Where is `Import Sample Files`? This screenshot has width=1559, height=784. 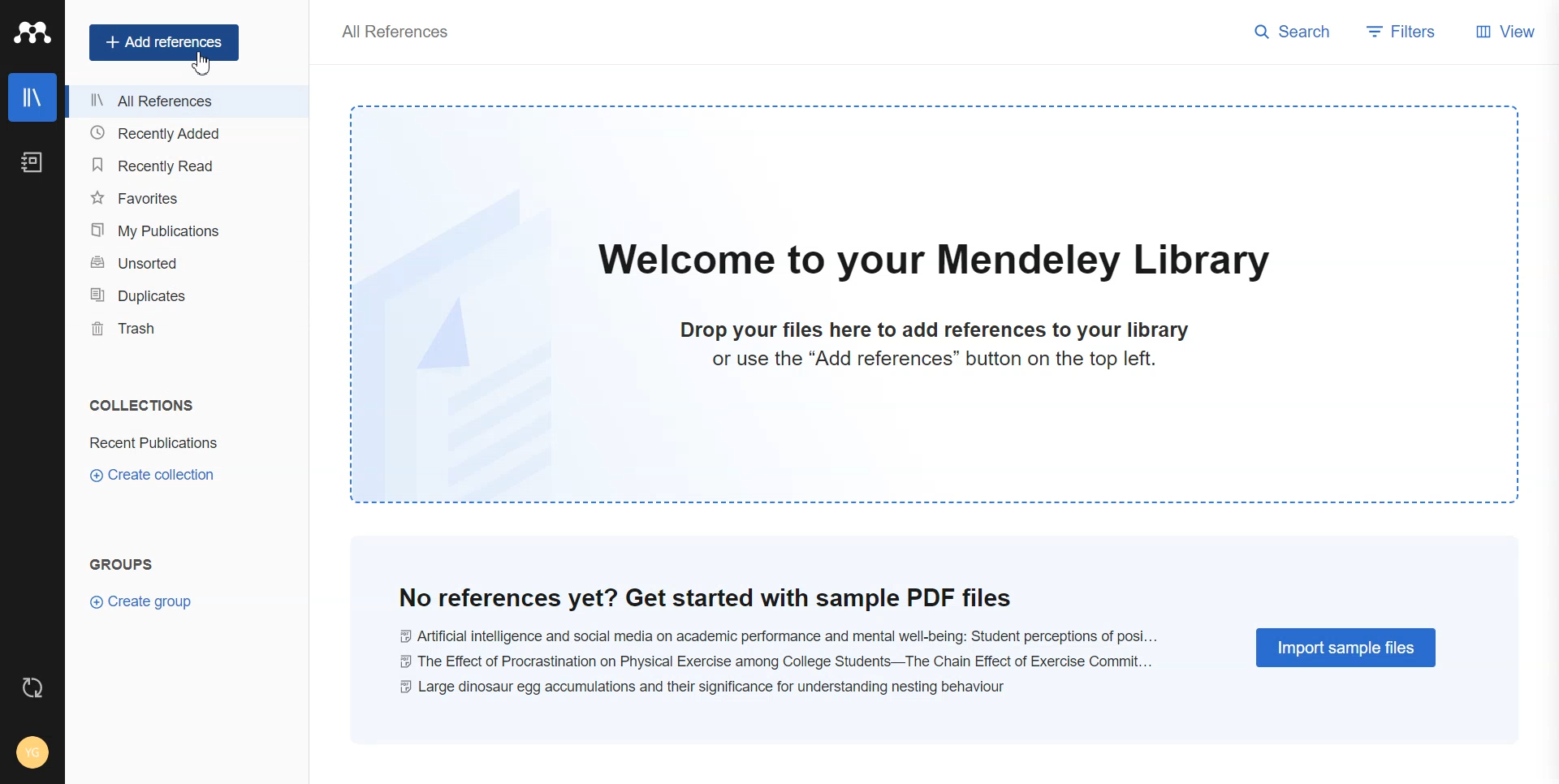
Import Sample Files is located at coordinates (1348, 648).